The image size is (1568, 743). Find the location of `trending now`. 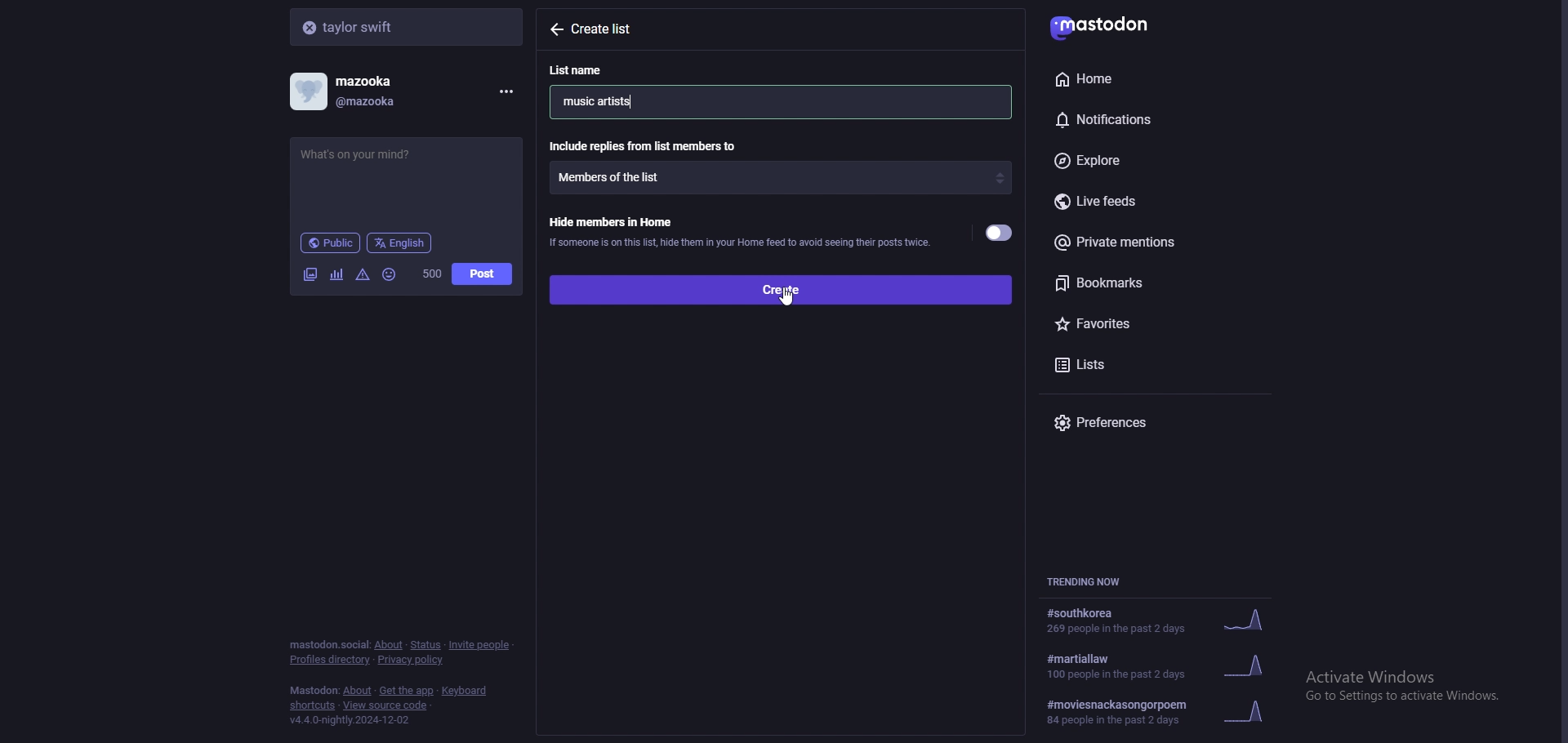

trending now is located at coordinates (1093, 581).